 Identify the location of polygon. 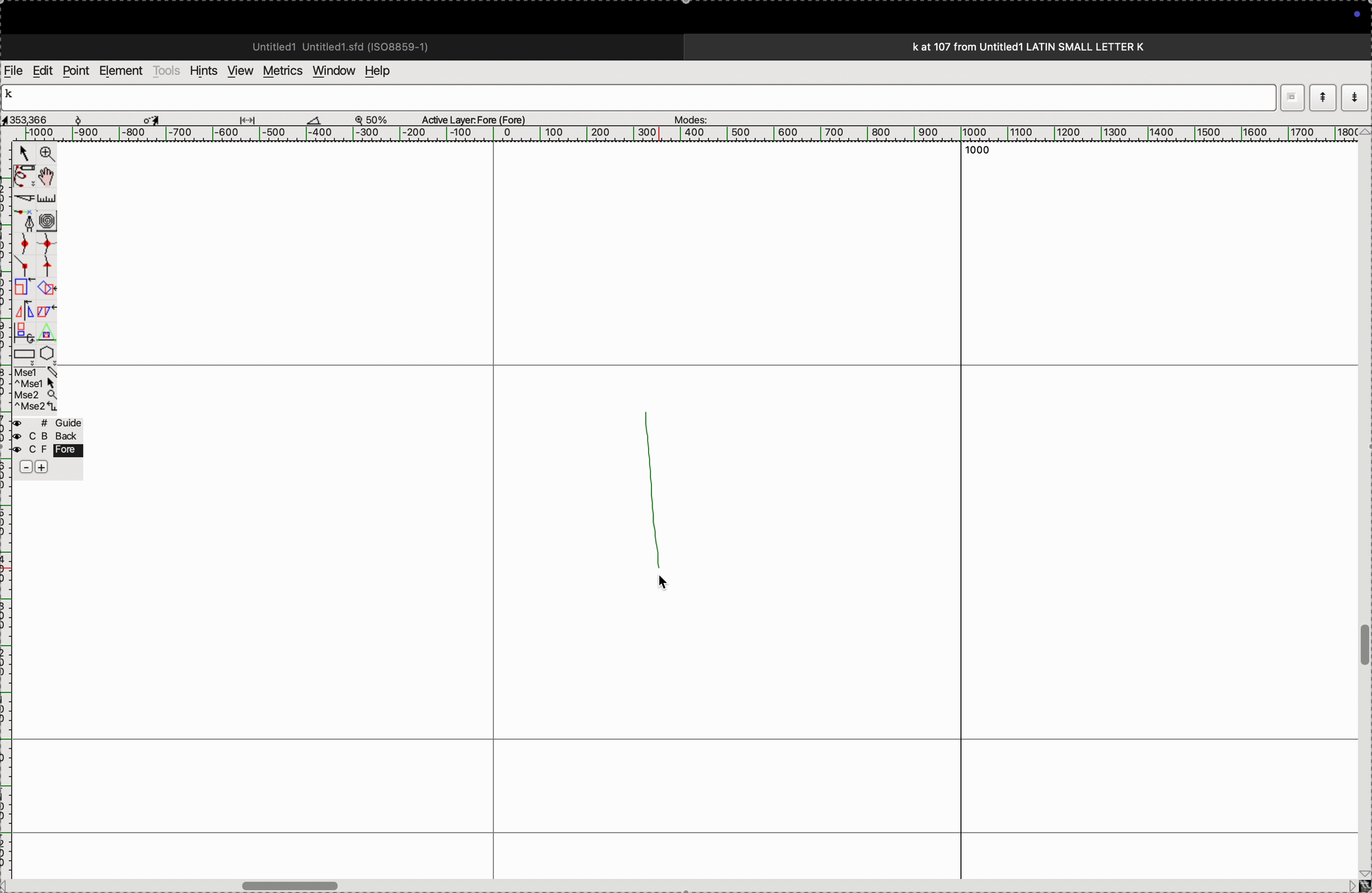
(47, 353).